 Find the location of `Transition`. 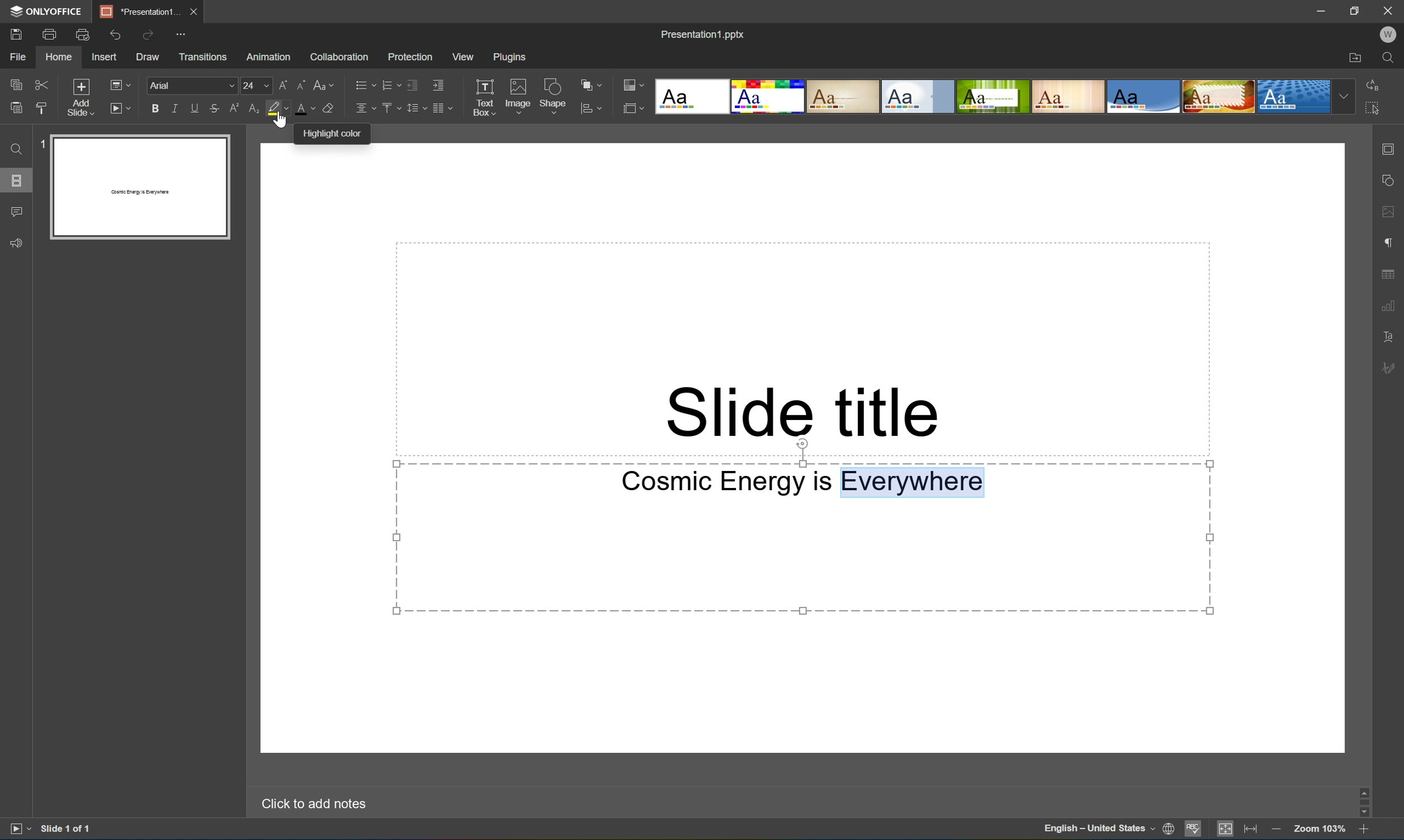

Transition is located at coordinates (205, 55).